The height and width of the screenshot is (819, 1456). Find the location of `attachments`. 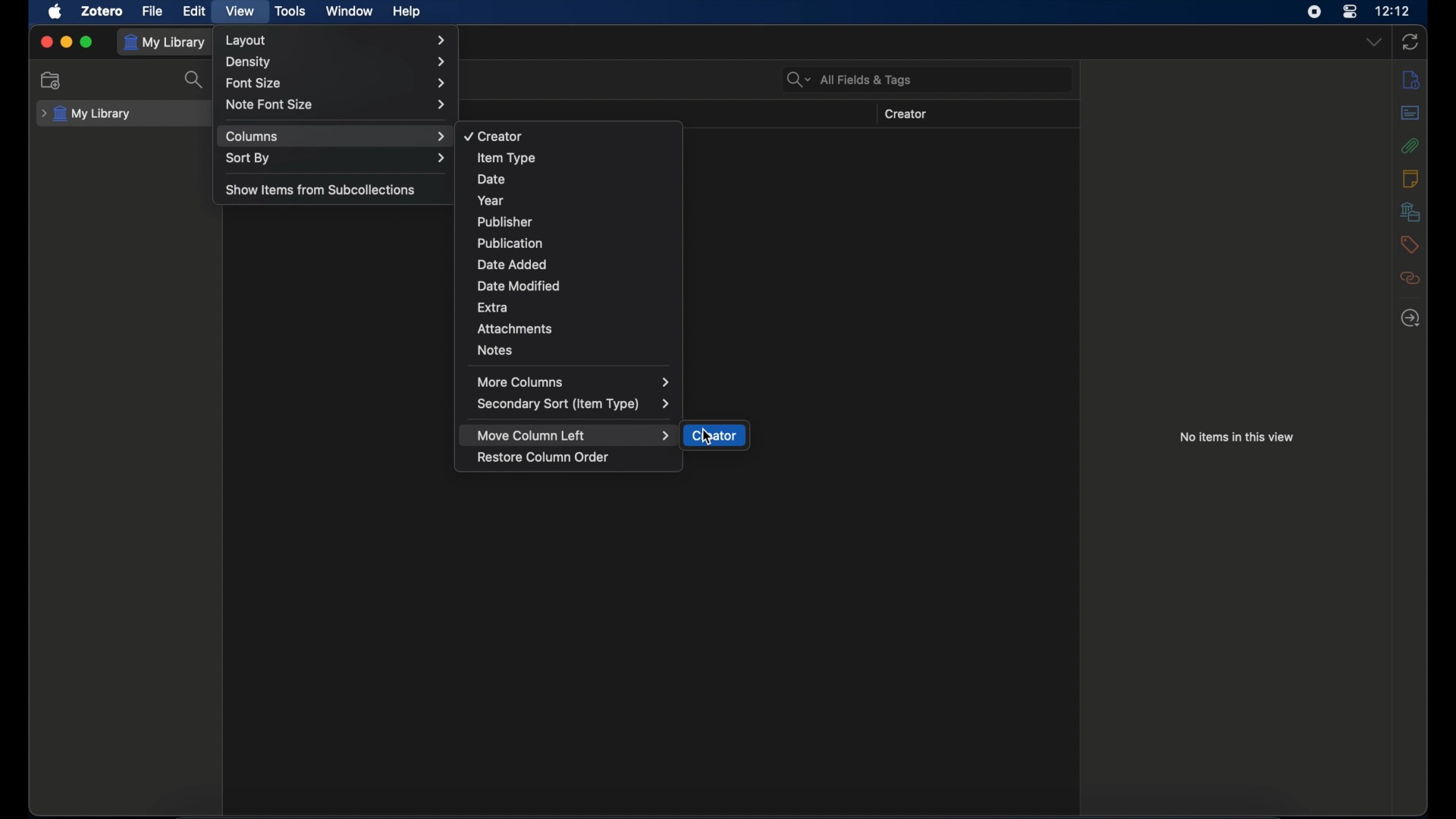

attachments is located at coordinates (516, 328).